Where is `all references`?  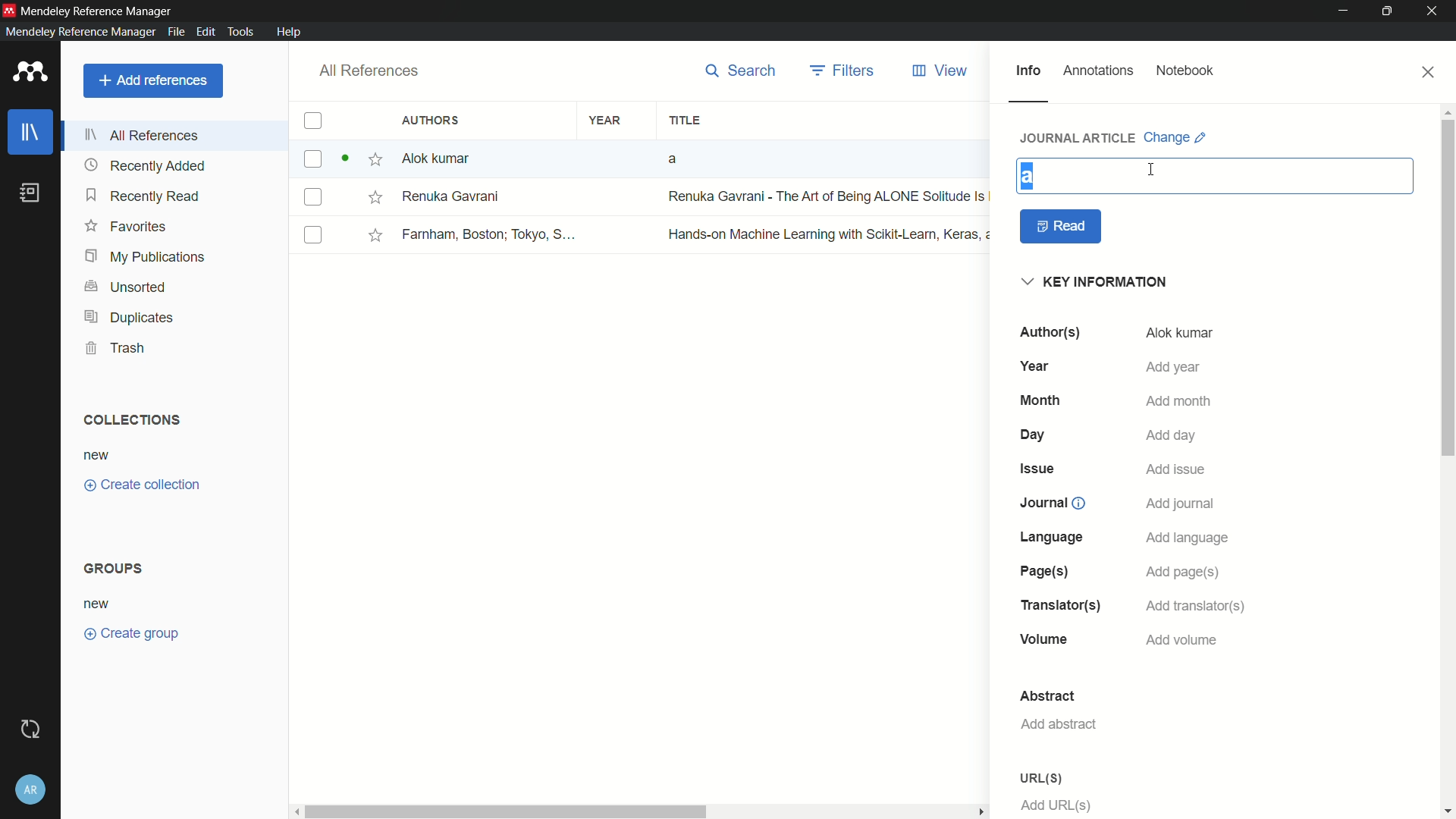 all references is located at coordinates (366, 71).